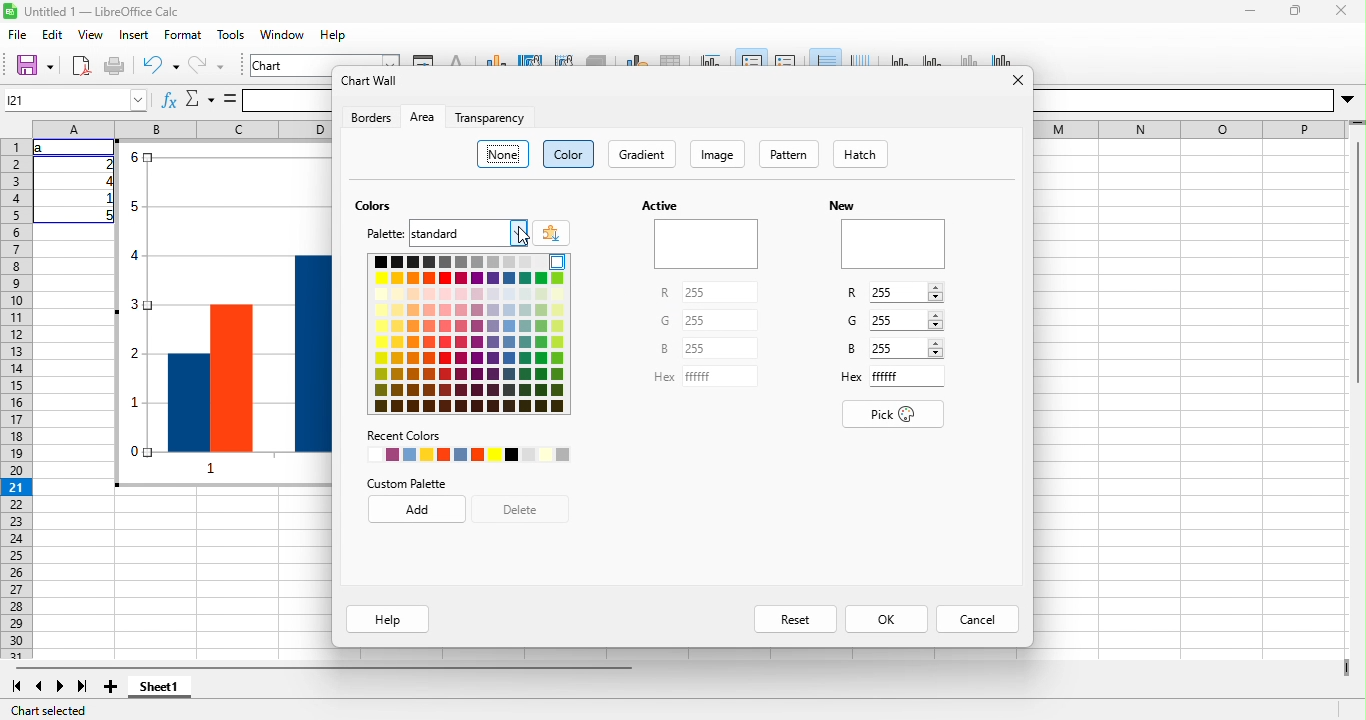 Image resolution: width=1366 pixels, height=720 pixels. What do you see at coordinates (664, 348) in the screenshot?
I see `B` at bounding box center [664, 348].